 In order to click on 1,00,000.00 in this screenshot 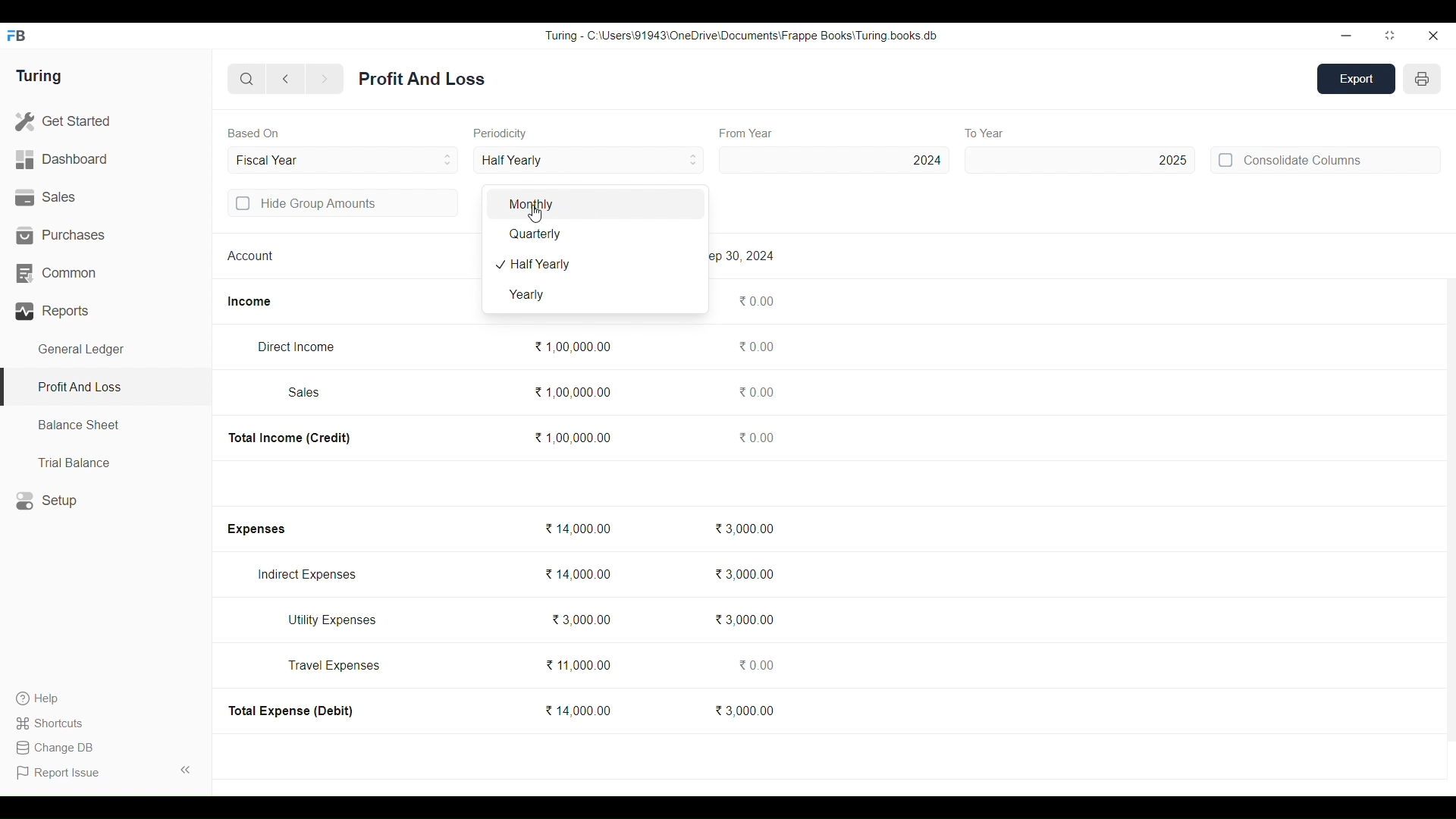, I will do `click(572, 438)`.